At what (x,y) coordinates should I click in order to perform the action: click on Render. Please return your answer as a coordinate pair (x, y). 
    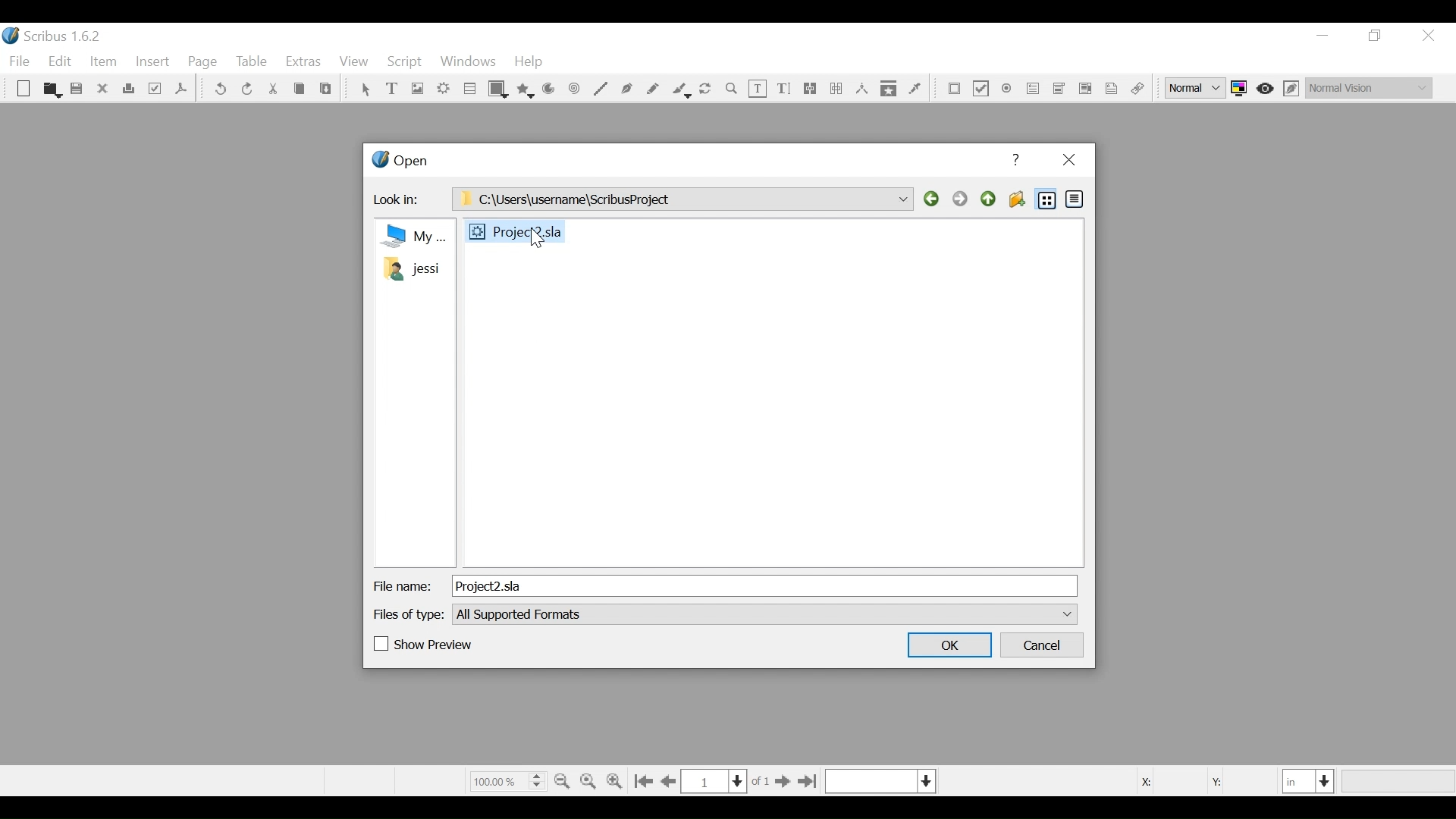
    Looking at the image, I should click on (444, 90).